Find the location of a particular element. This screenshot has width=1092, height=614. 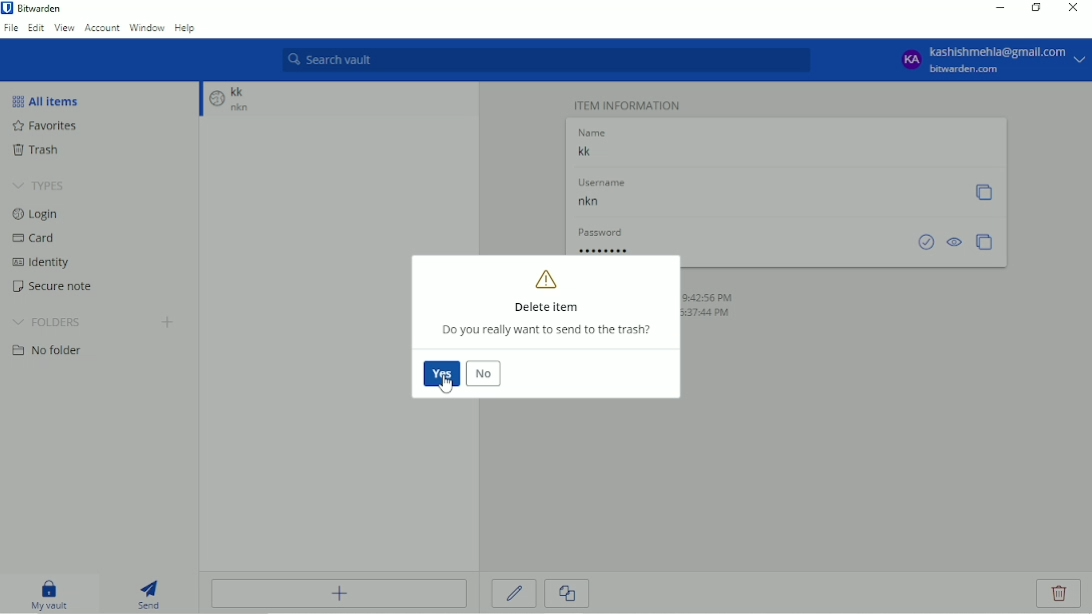

profile is located at coordinates (910, 61).